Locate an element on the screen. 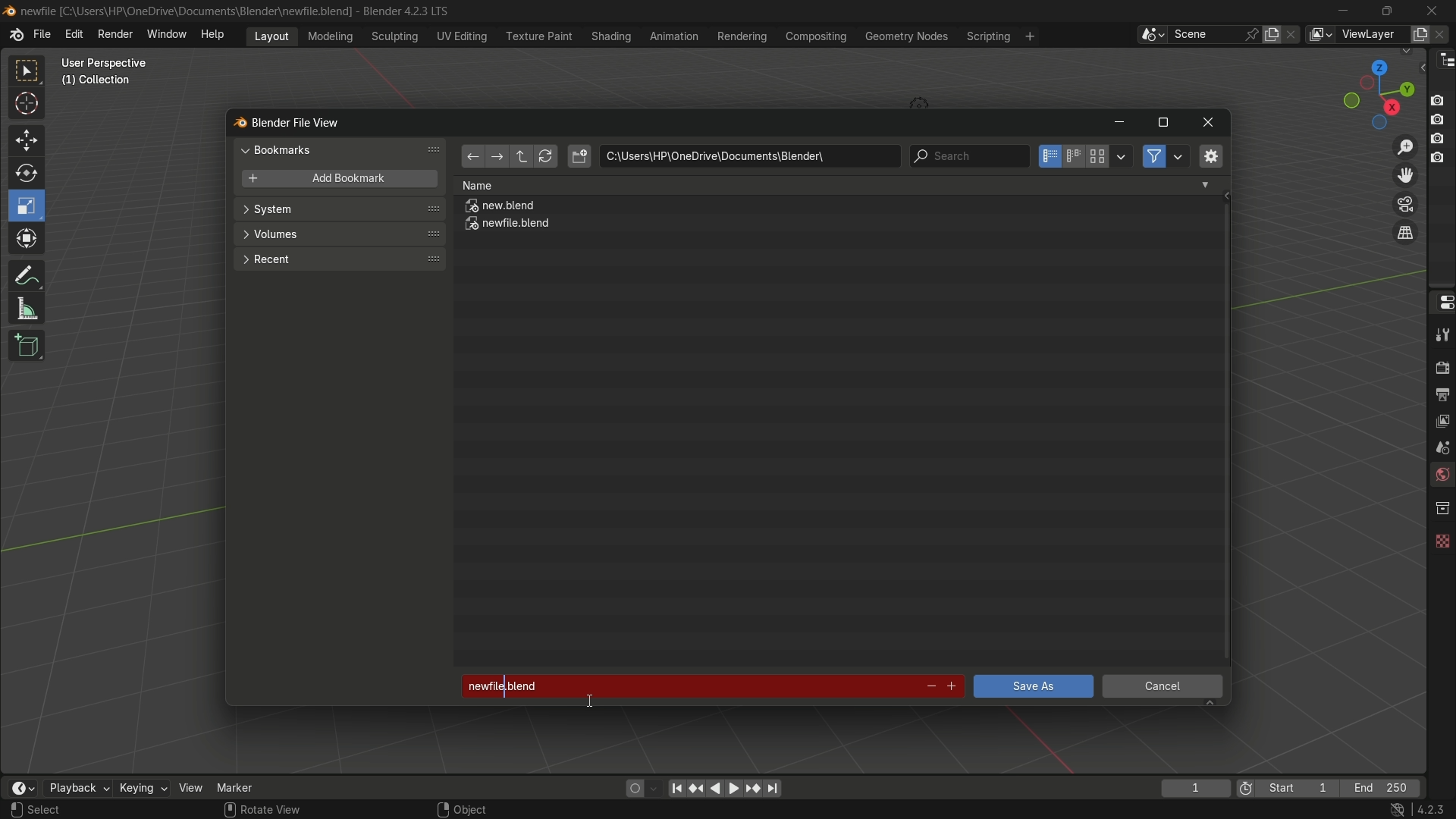 Image resolution: width=1456 pixels, height=819 pixels. layout menu is located at coordinates (271, 35).